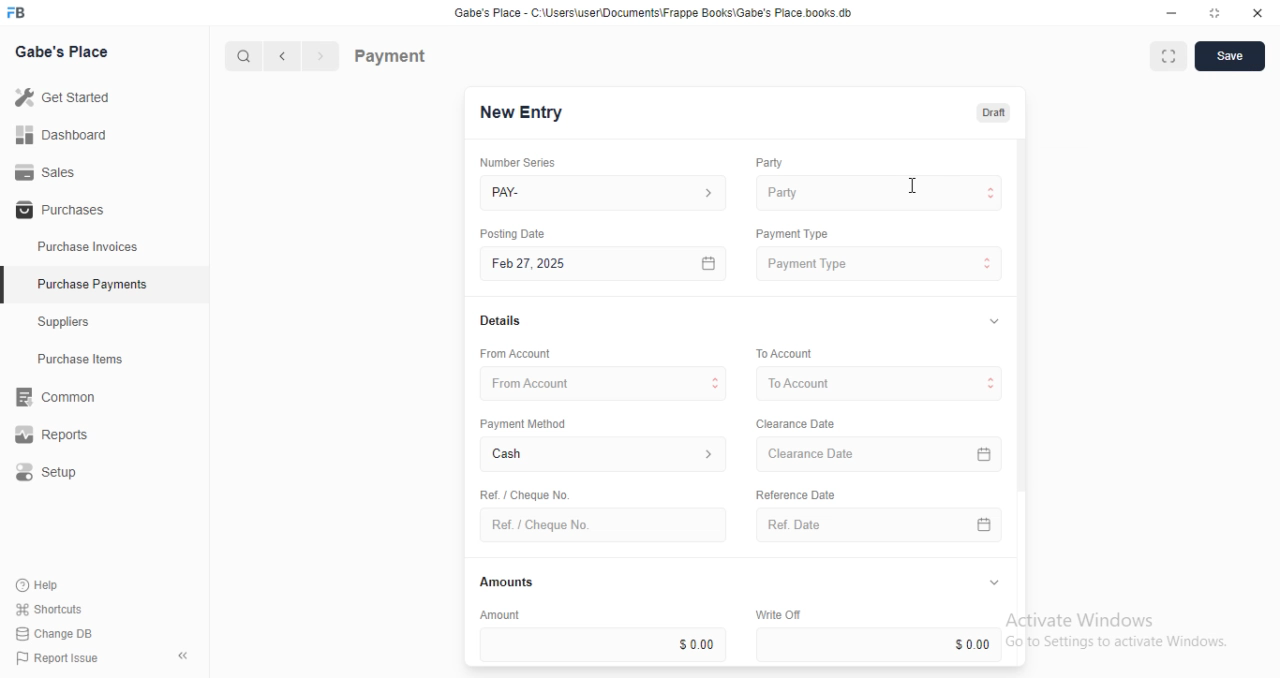  What do you see at coordinates (91, 284) in the screenshot?
I see `Purchase Payments` at bounding box center [91, 284].